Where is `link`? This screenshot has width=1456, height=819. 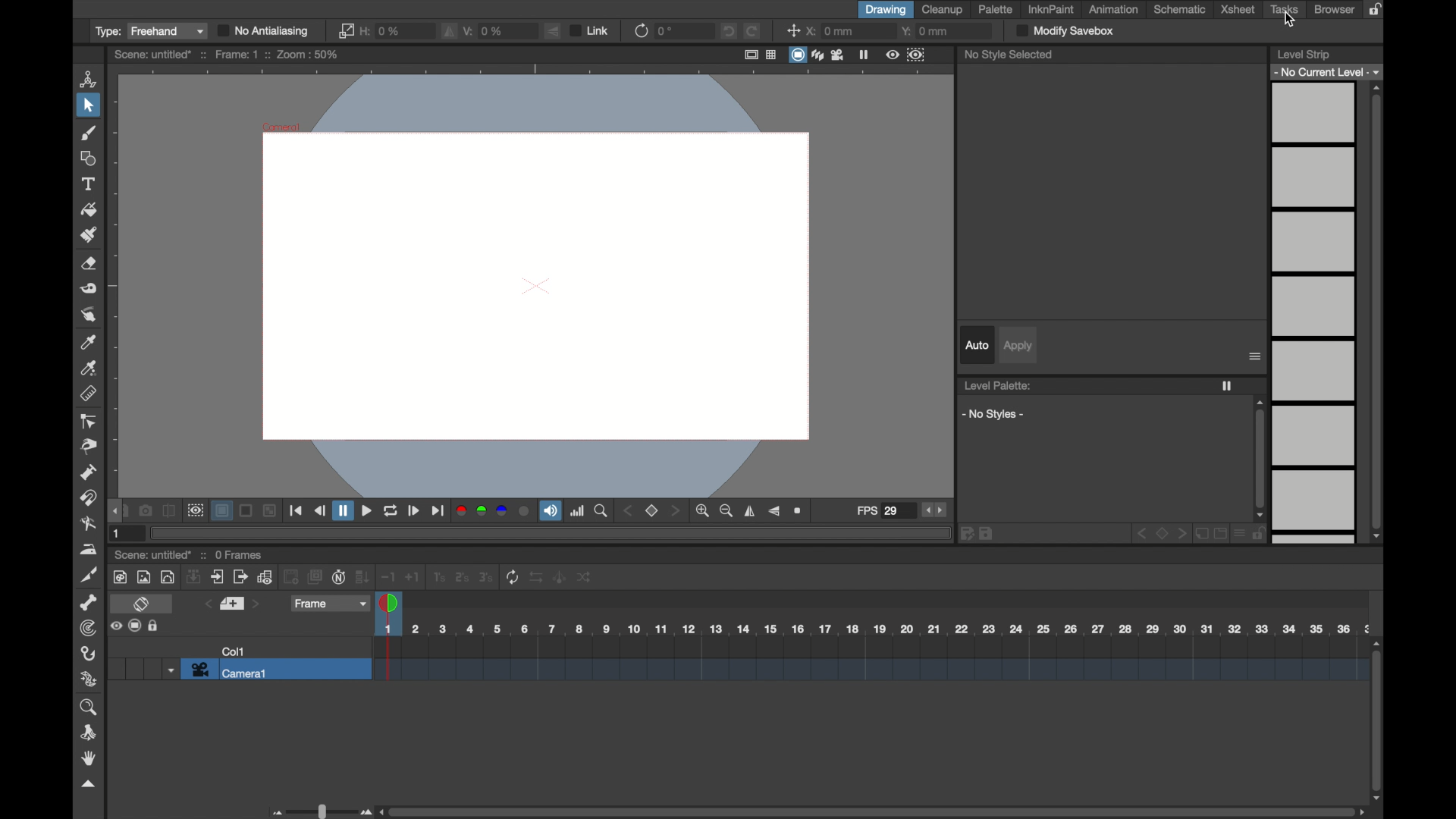
link is located at coordinates (346, 30).